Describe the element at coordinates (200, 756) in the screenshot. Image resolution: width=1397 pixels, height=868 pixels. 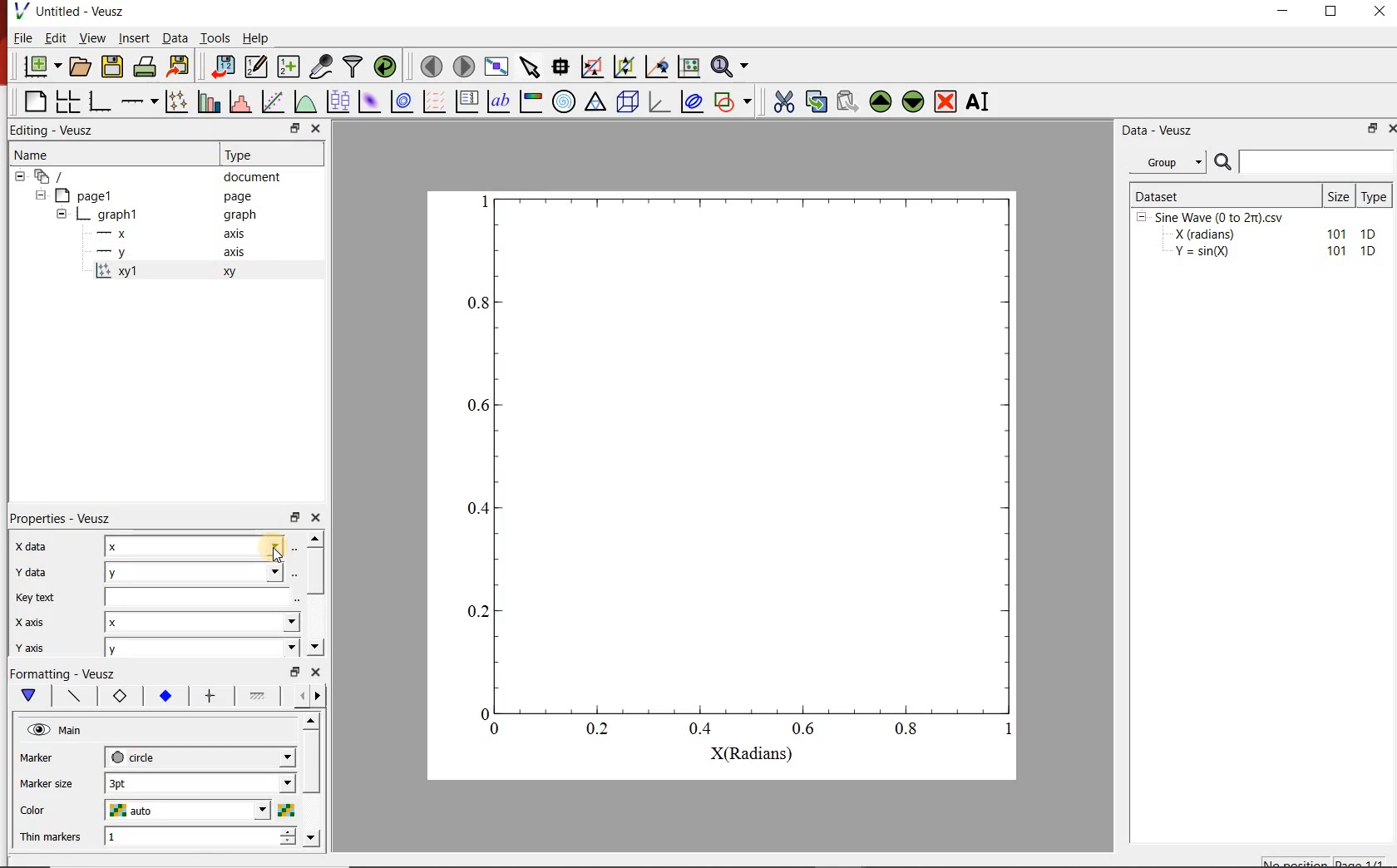
I see `next-tick` at that location.